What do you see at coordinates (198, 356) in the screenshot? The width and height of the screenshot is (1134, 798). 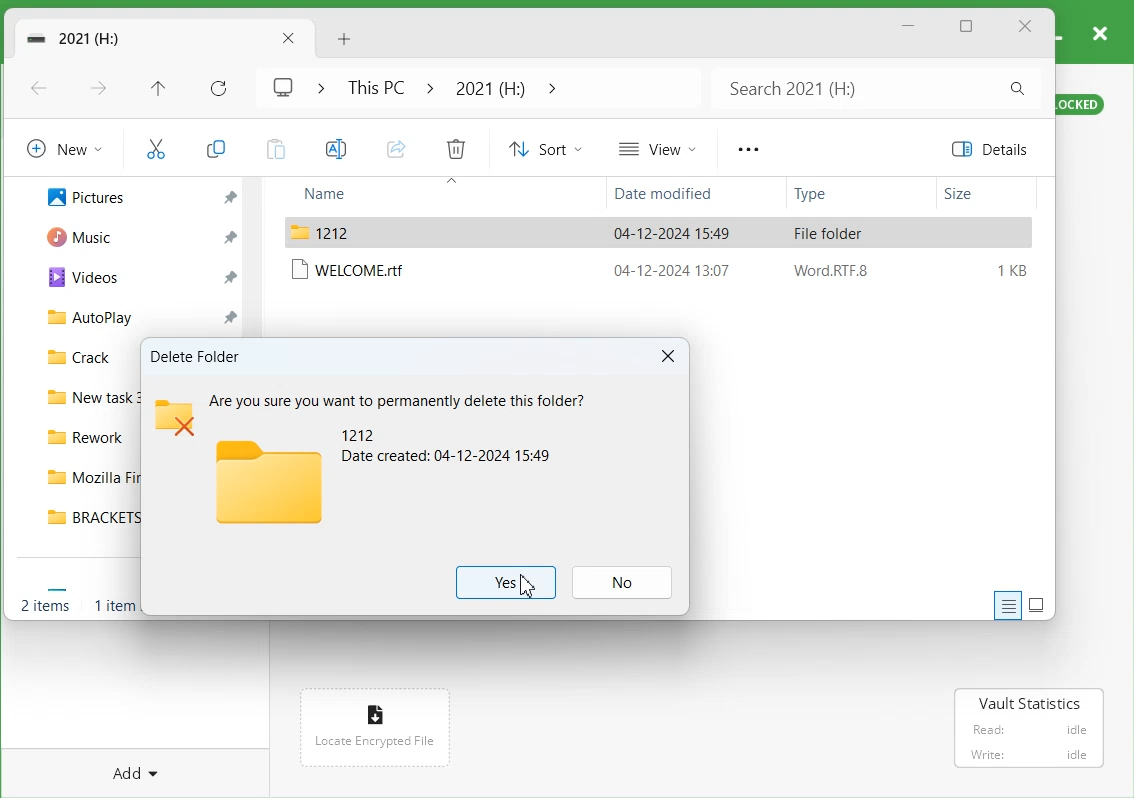 I see `Text 1` at bounding box center [198, 356].